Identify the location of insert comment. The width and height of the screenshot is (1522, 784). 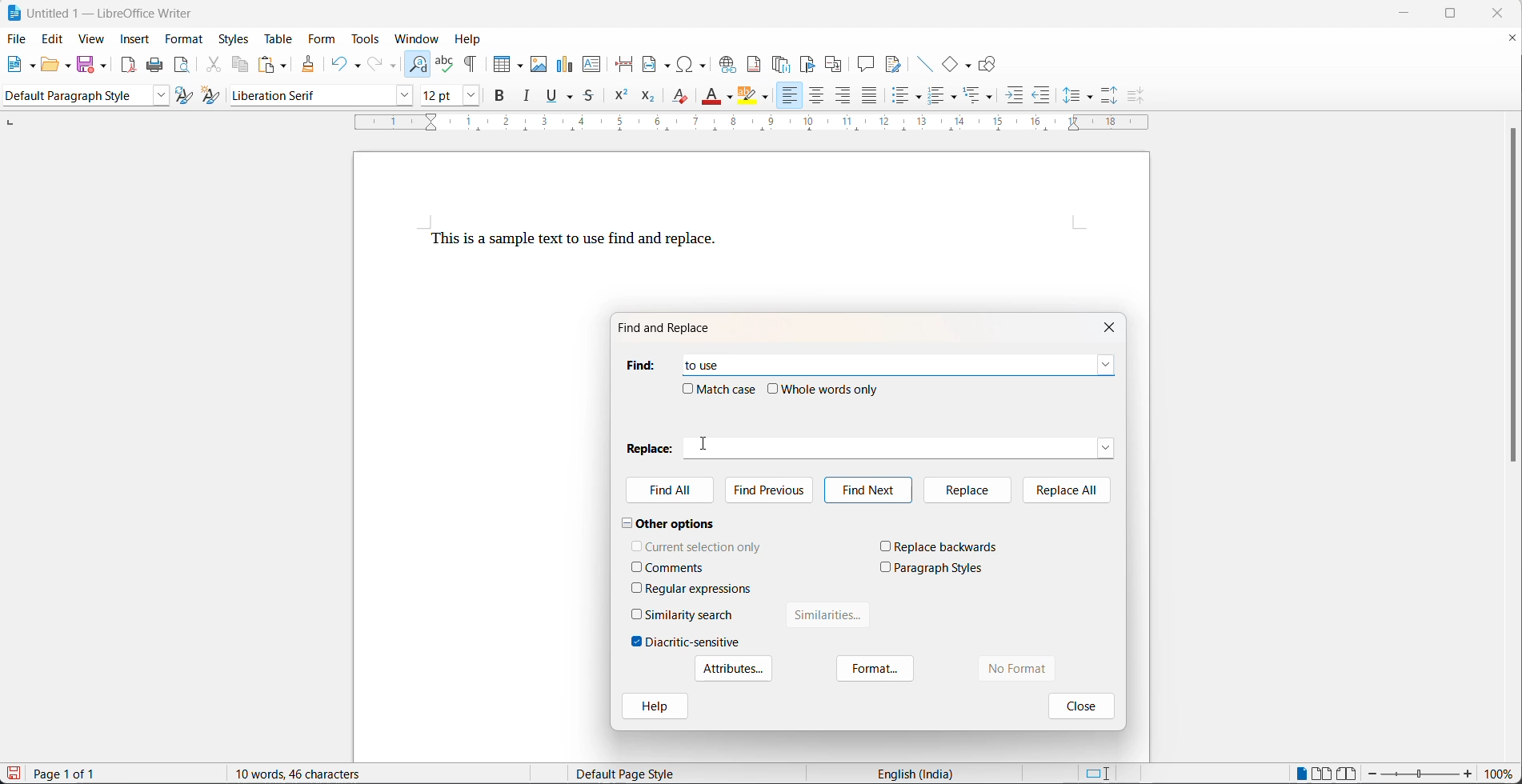
(866, 64).